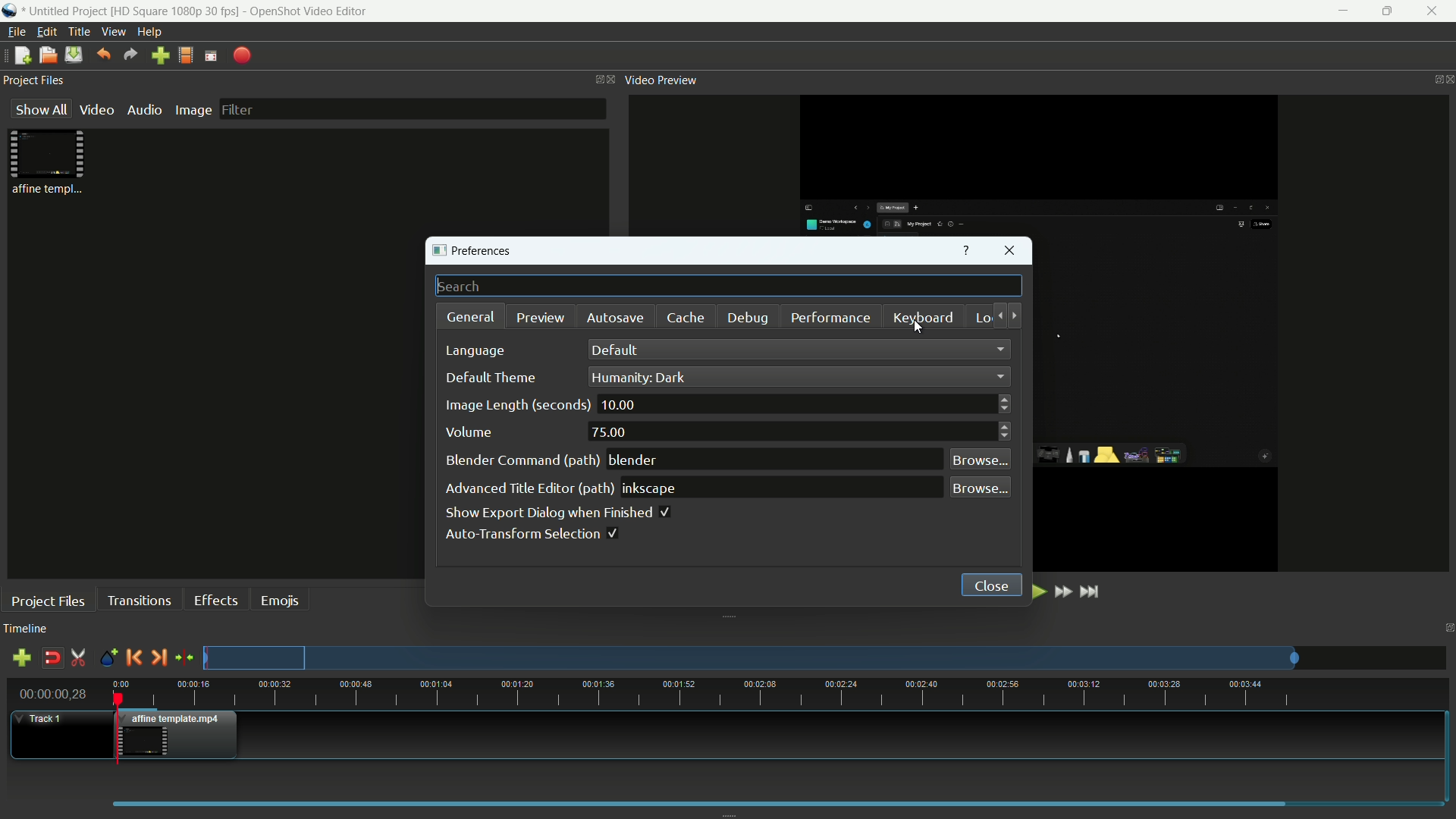 This screenshot has height=819, width=1456. I want to click on advanced title, so click(529, 488).